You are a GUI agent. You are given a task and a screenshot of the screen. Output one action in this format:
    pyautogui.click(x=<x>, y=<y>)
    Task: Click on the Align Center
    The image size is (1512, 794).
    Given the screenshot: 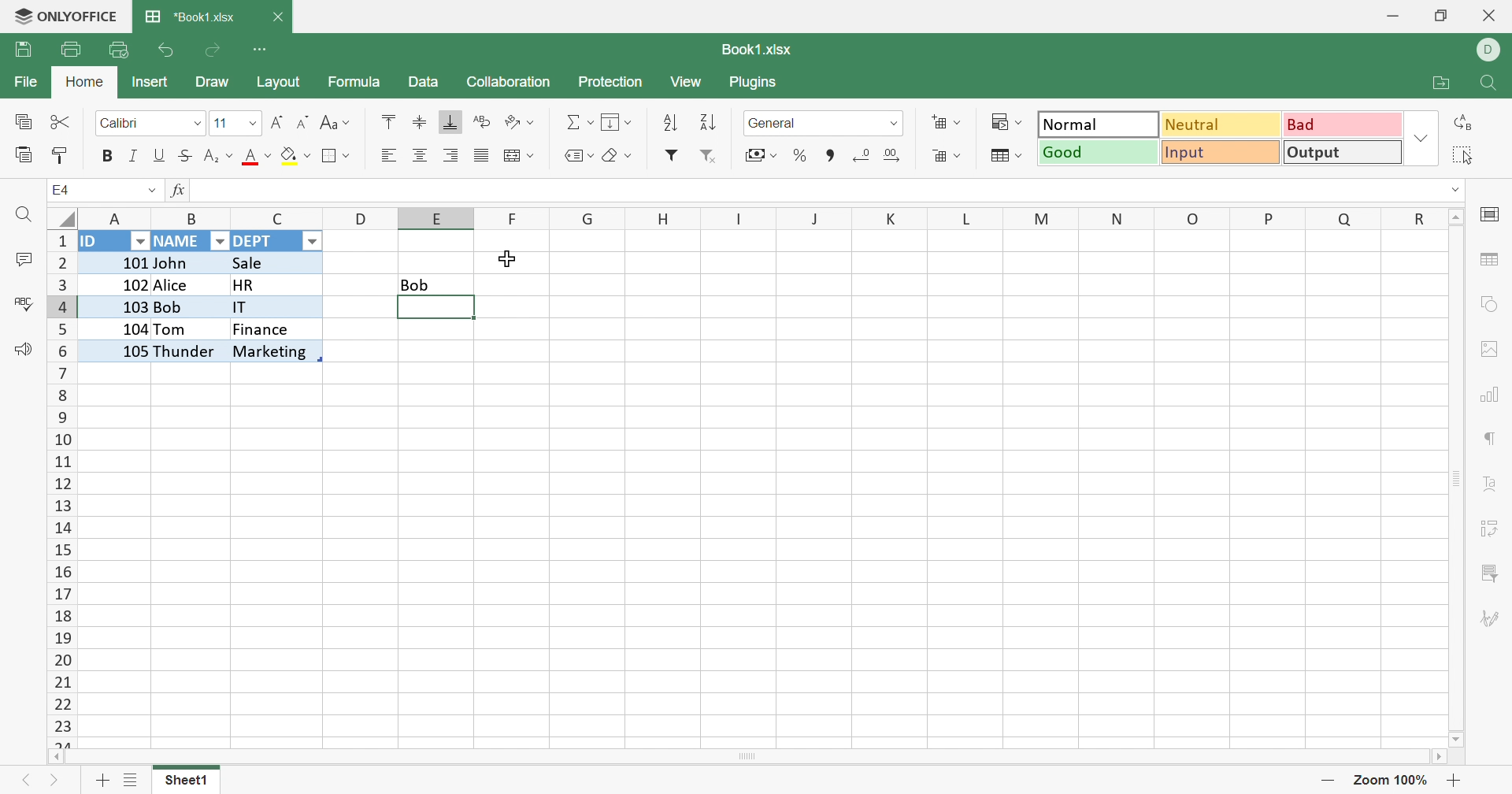 What is the action you would take?
    pyautogui.click(x=421, y=158)
    